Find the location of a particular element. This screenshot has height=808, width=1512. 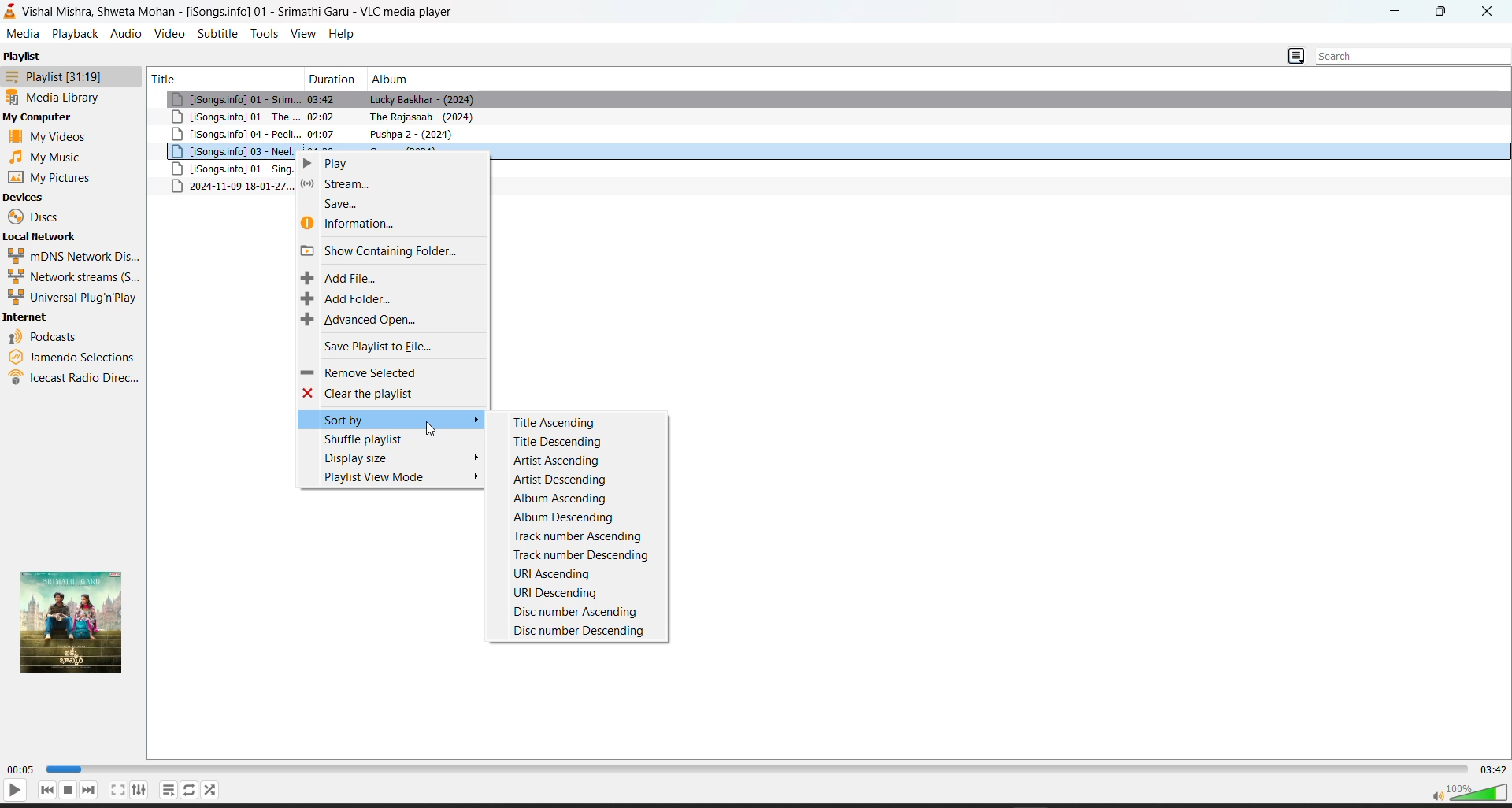

local network is located at coordinates (42, 236).